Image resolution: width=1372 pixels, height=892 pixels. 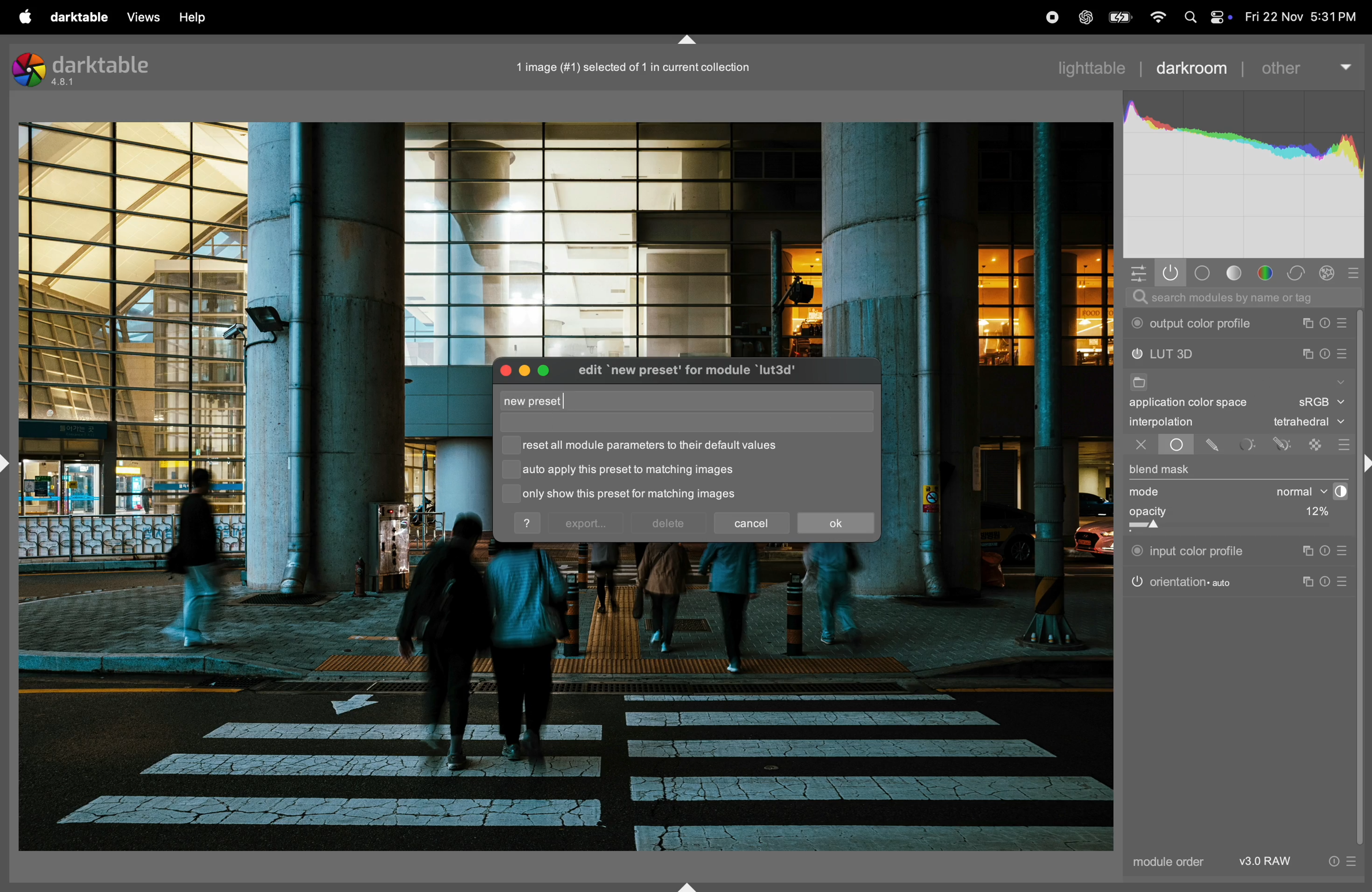 What do you see at coordinates (1219, 17) in the screenshot?
I see `apple widgets` at bounding box center [1219, 17].